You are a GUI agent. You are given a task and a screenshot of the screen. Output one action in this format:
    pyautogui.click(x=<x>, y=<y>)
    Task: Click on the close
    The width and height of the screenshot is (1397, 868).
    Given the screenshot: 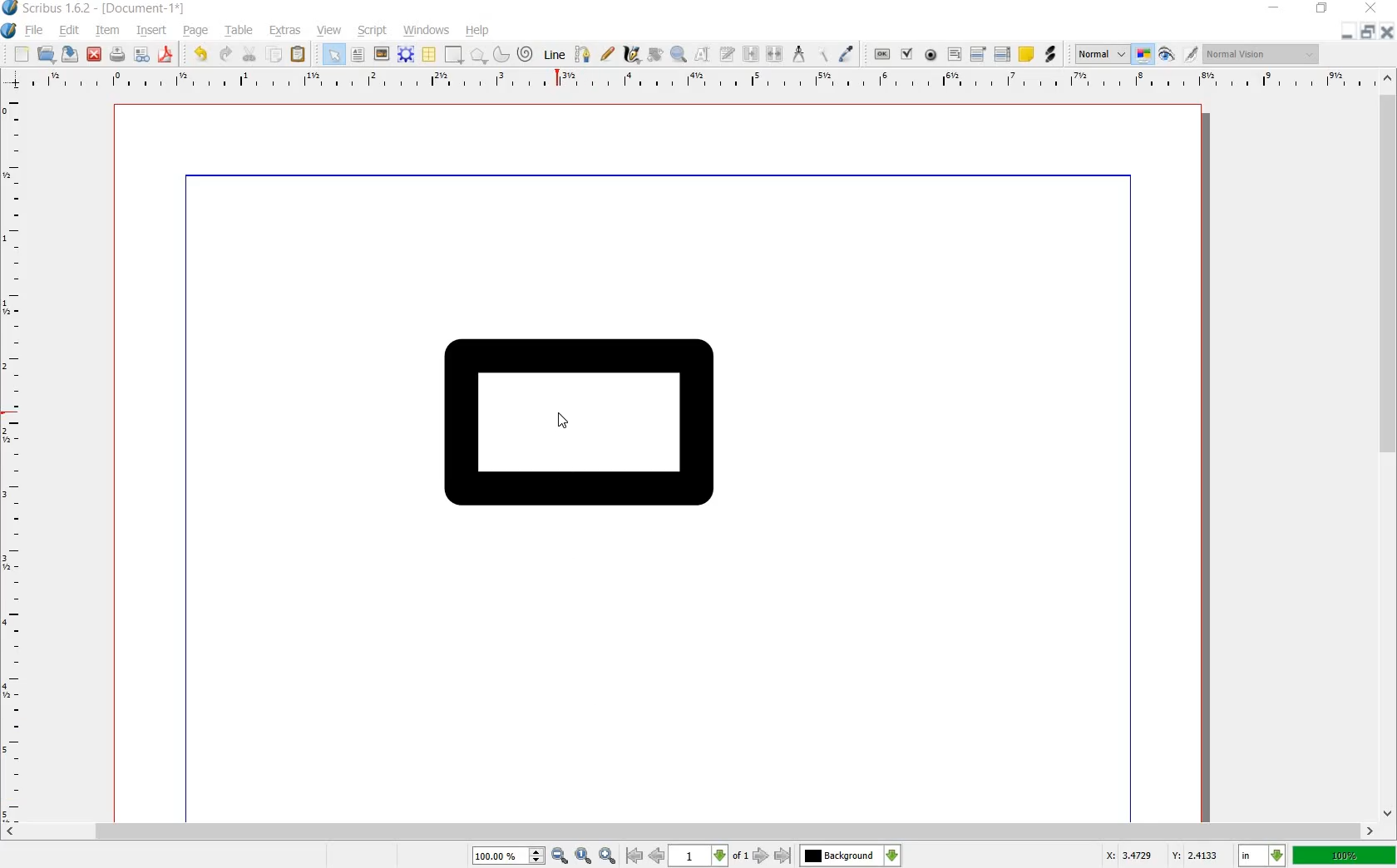 What is the action you would take?
    pyautogui.click(x=95, y=53)
    